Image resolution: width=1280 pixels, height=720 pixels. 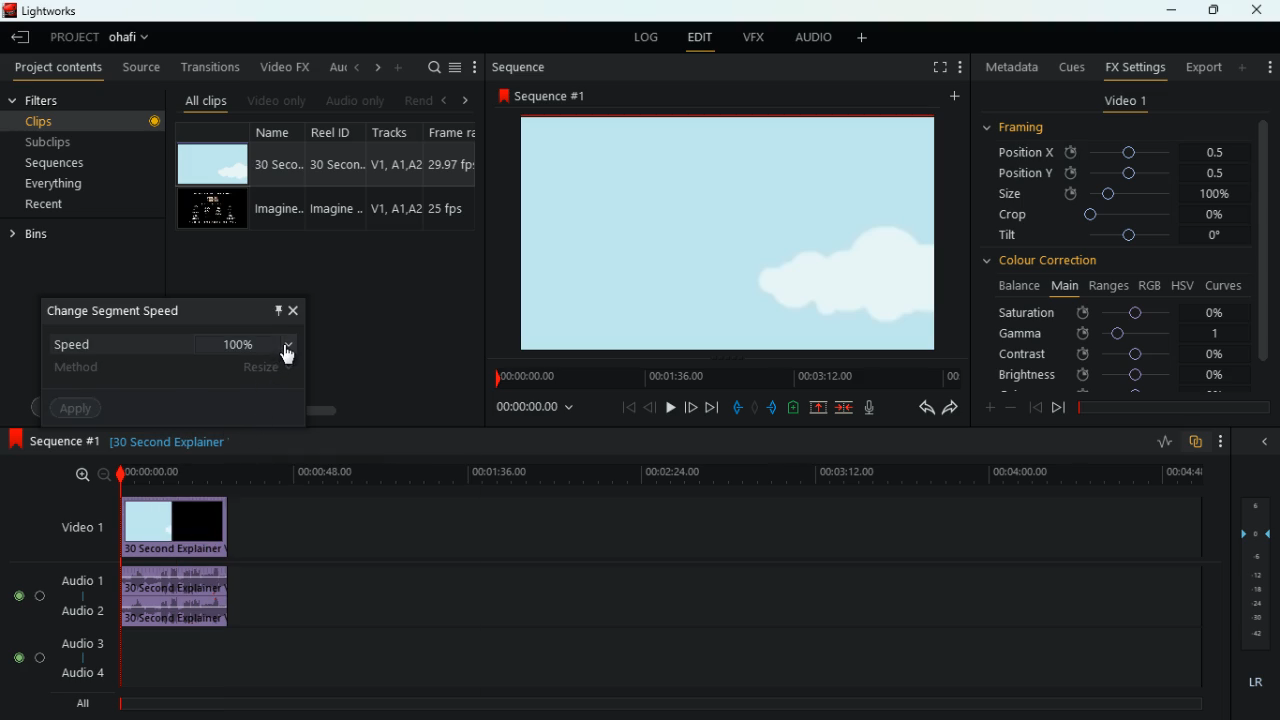 I want to click on au, so click(x=331, y=65).